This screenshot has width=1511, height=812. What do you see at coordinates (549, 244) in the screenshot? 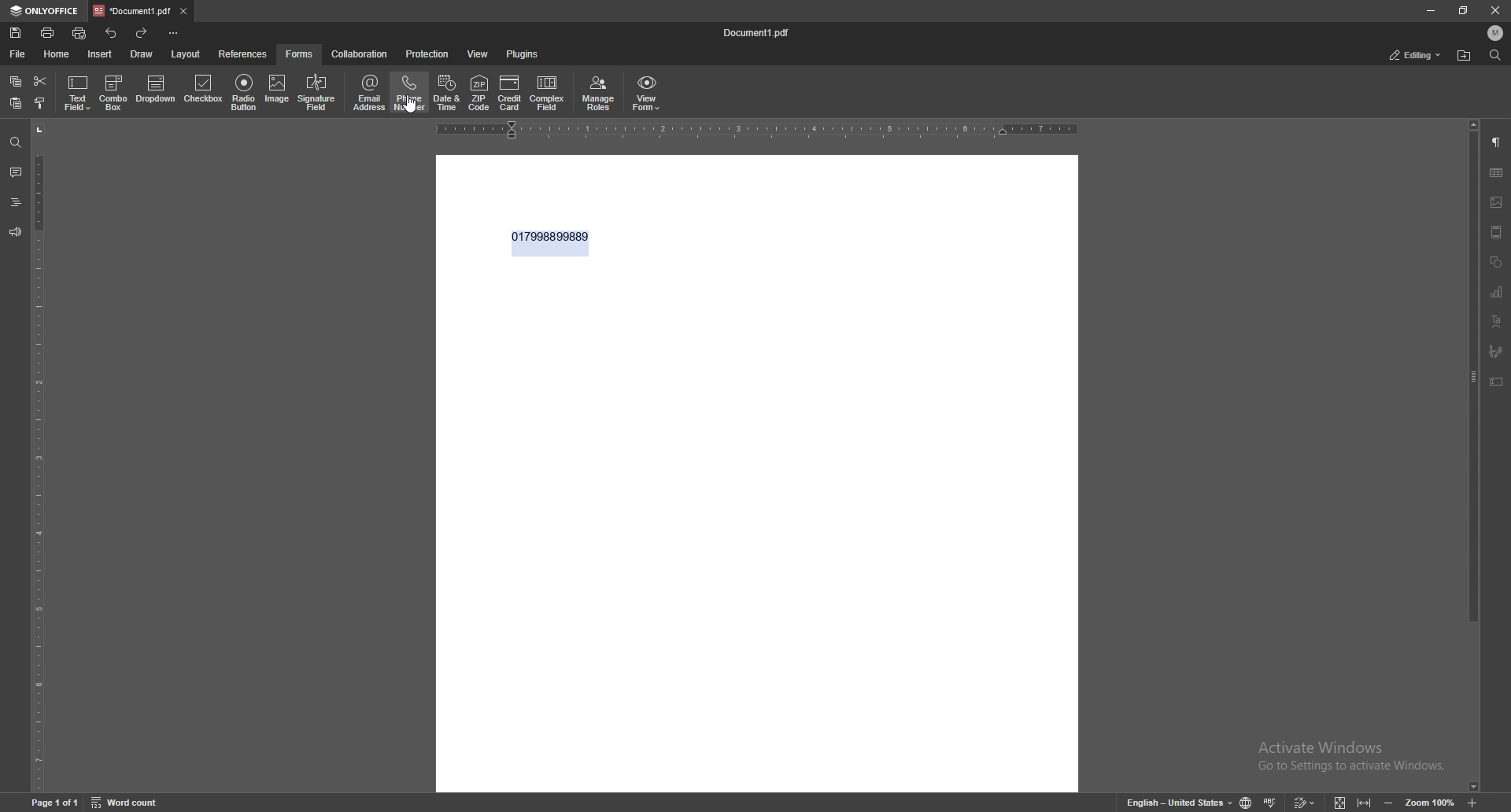
I see `text` at bounding box center [549, 244].